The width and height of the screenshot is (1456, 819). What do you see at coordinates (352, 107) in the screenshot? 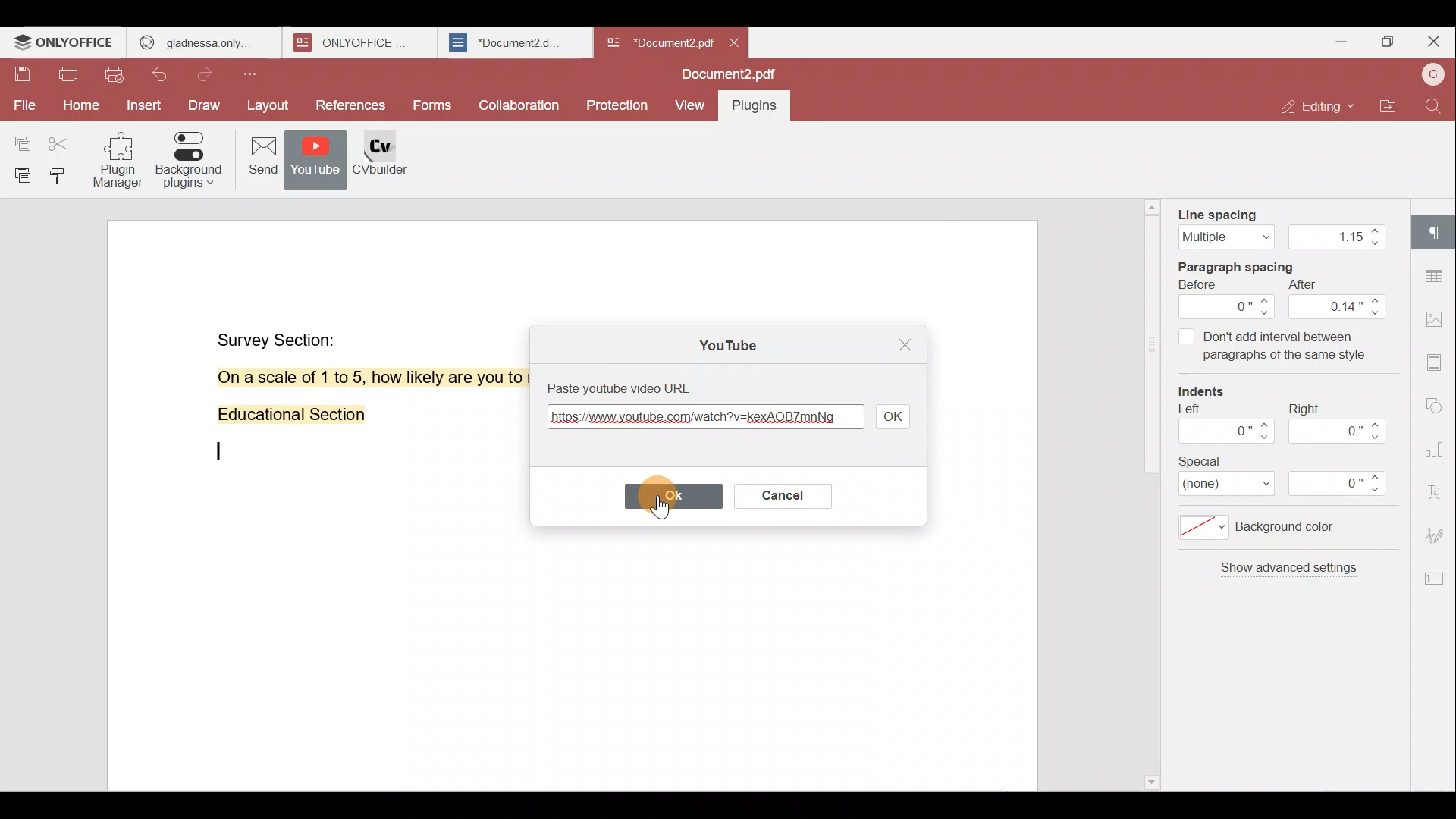
I see `References` at bounding box center [352, 107].